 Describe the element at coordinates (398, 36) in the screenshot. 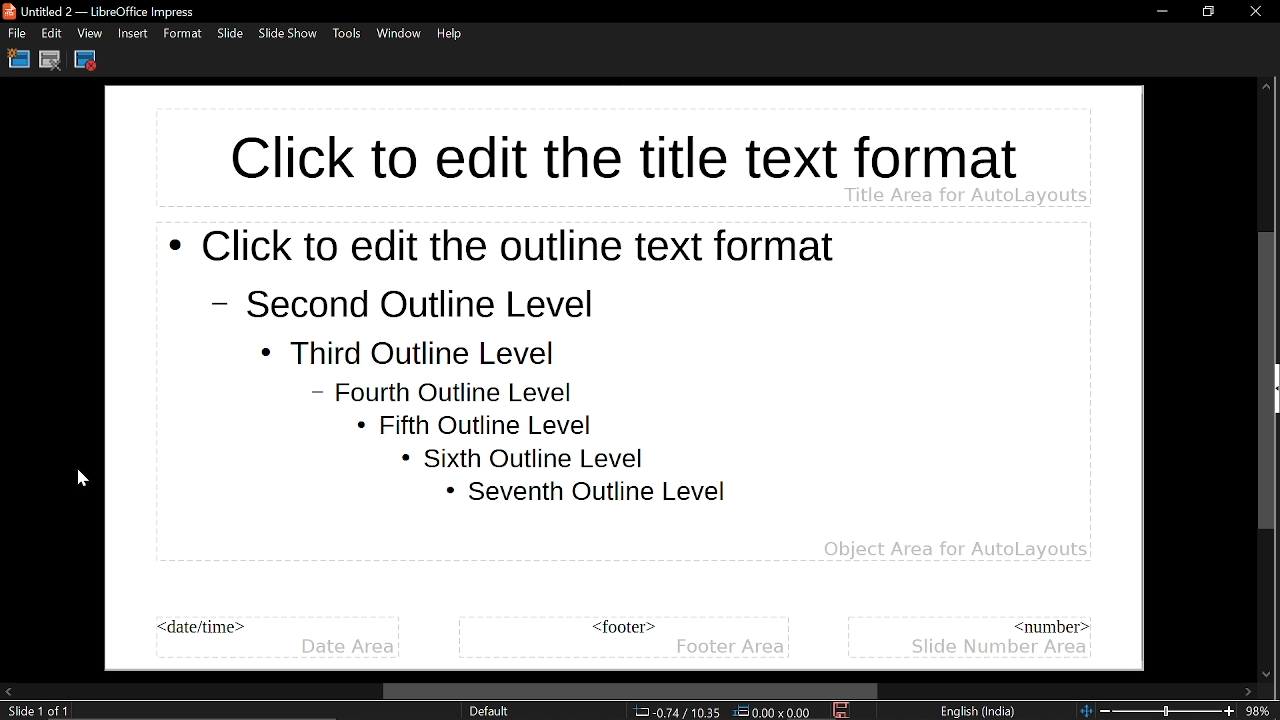

I see `Window` at that location.